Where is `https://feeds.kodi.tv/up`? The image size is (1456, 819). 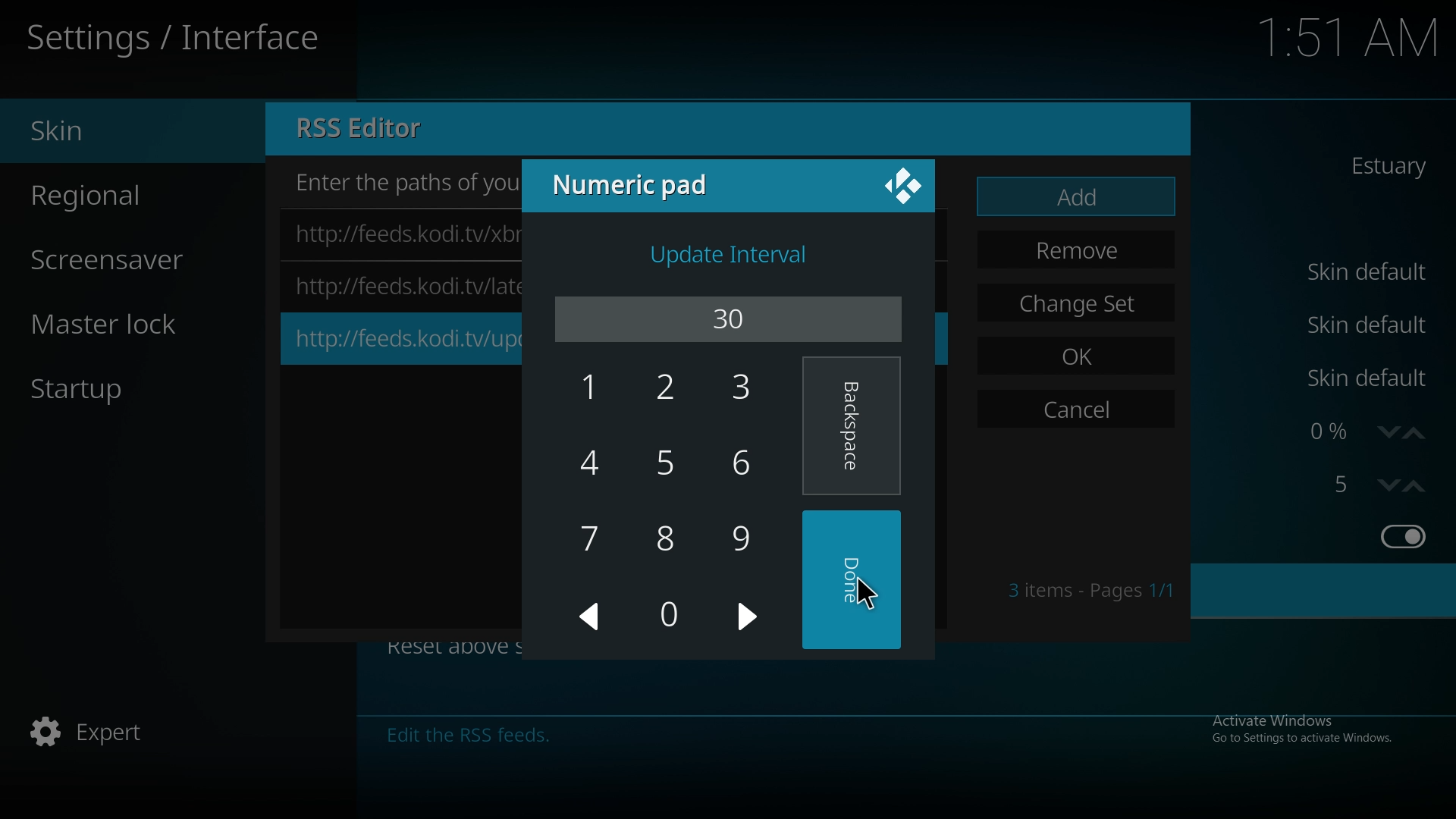 https://feeds.kodi.tv/up is located at coordinates (397, 340).